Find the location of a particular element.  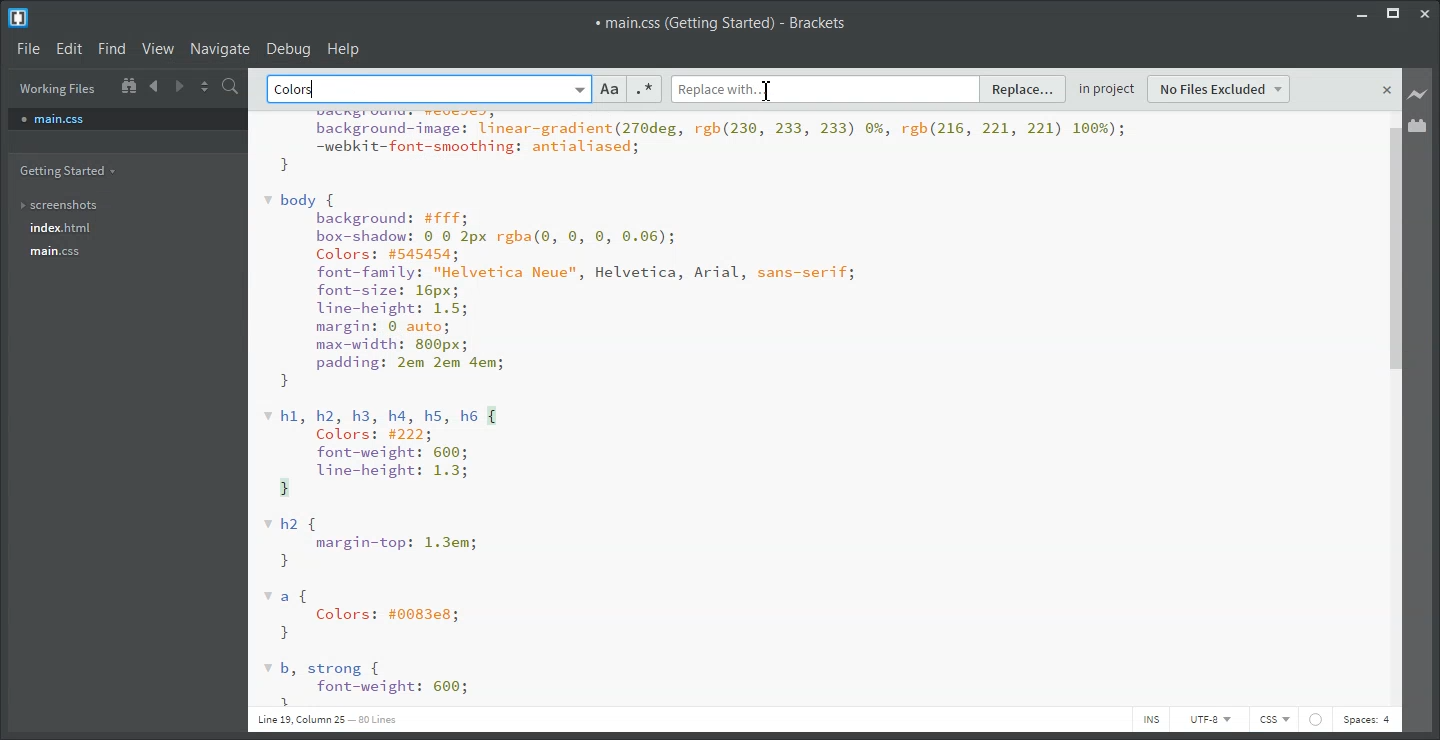

h2 {
margin-top: 1.3em;
} is located at coordinates (373, 543).